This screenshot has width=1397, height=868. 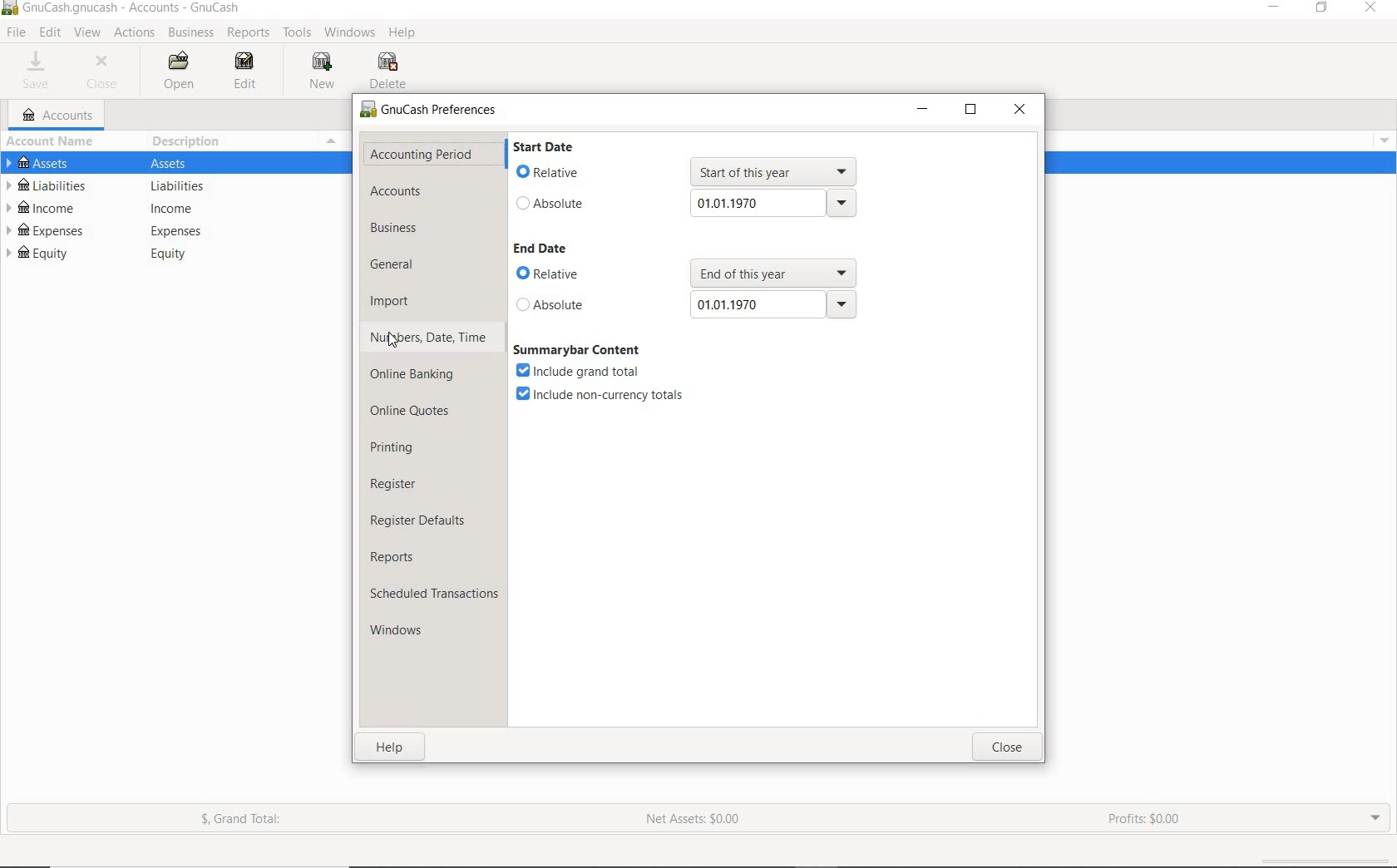 I want to click on windows, so click(x=406, y=630).